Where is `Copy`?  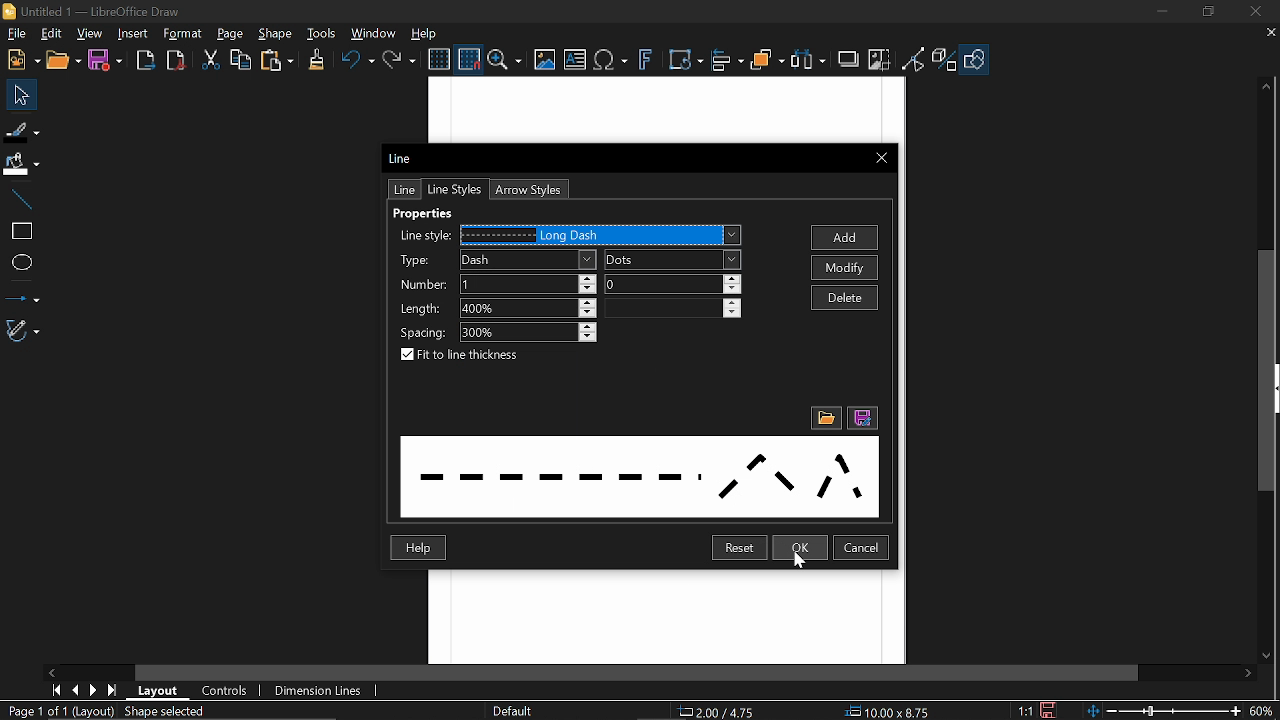
Copy is located at coordinates (239, 60).